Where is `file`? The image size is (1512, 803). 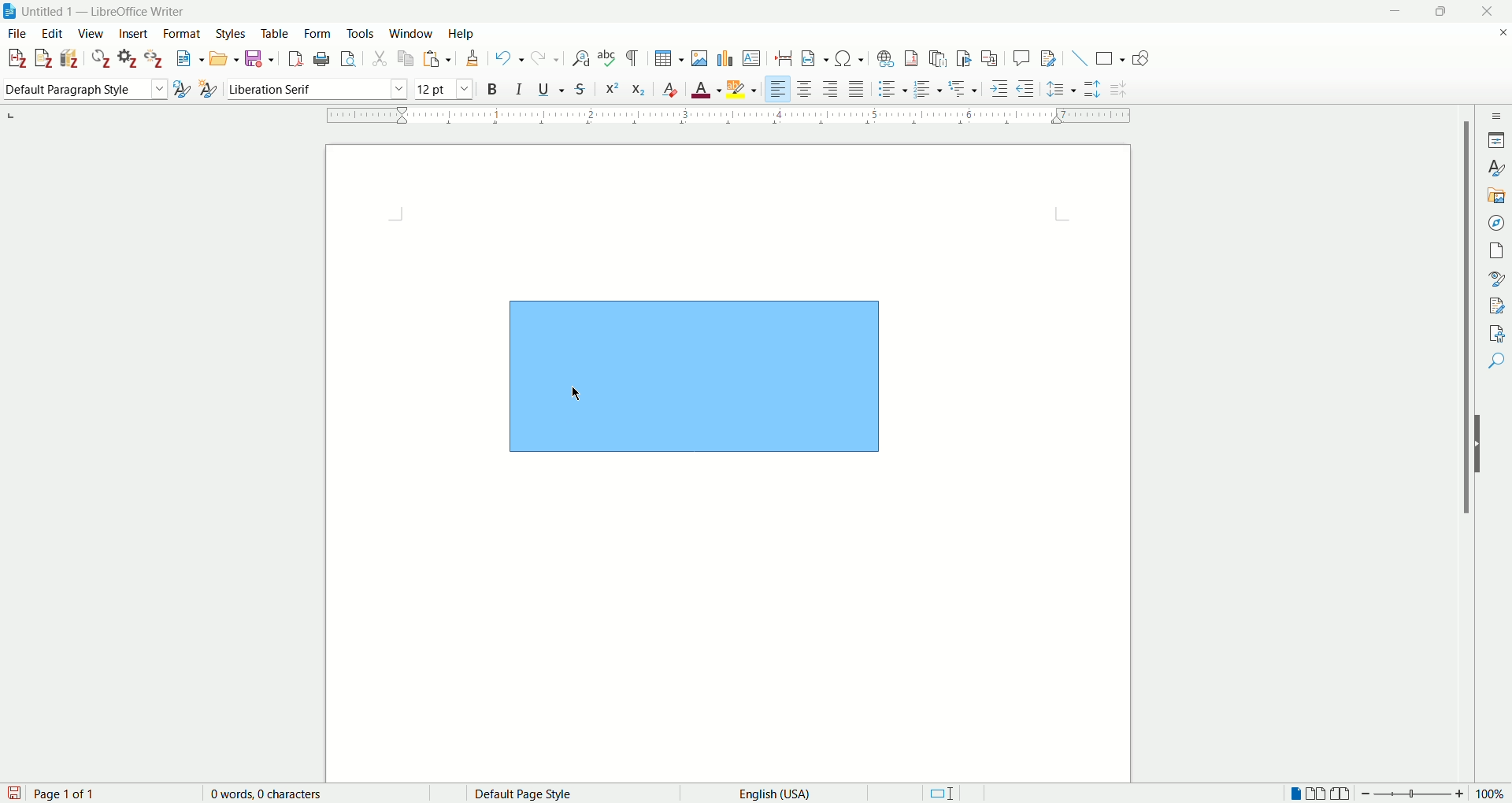 file is located at coordinates (16, 32).